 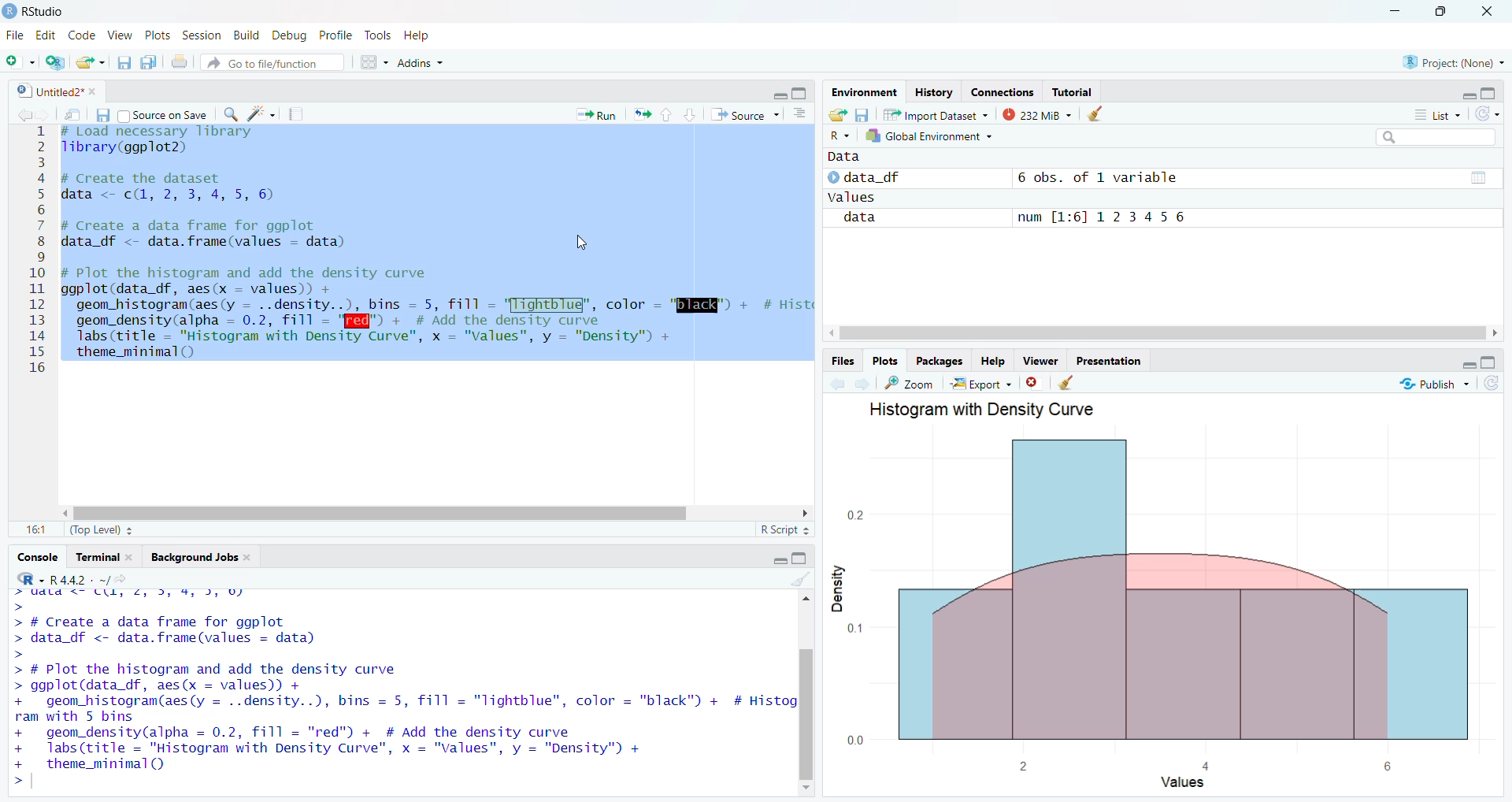 What do you see at coordinates (165, 113) in the screenshot?
I see `| Source on Save` at bounding box center [165, 113].